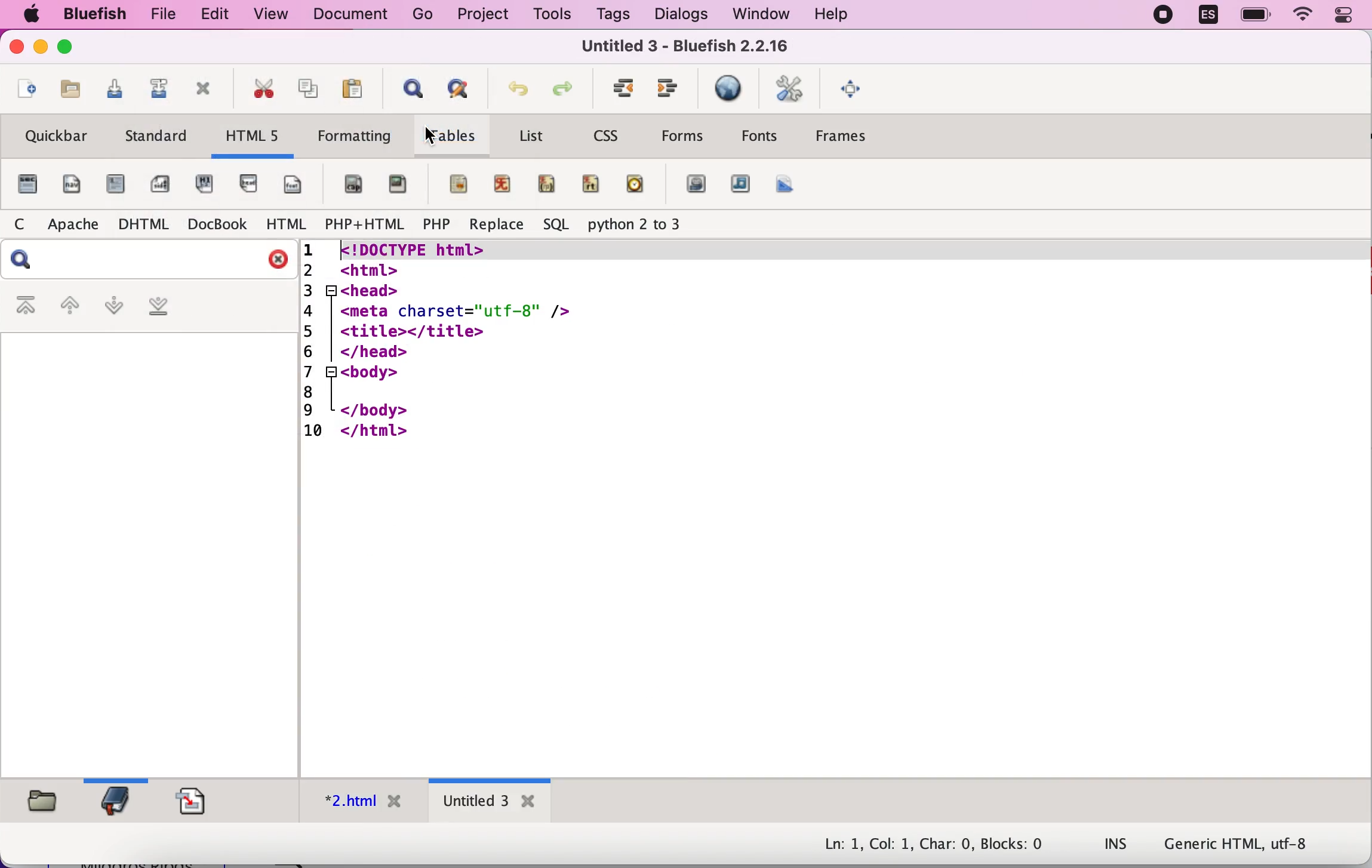 The image size is (1372, 868). Describe the element at coordinates (454, 136) in the screenshot. I see `tables` at that location.